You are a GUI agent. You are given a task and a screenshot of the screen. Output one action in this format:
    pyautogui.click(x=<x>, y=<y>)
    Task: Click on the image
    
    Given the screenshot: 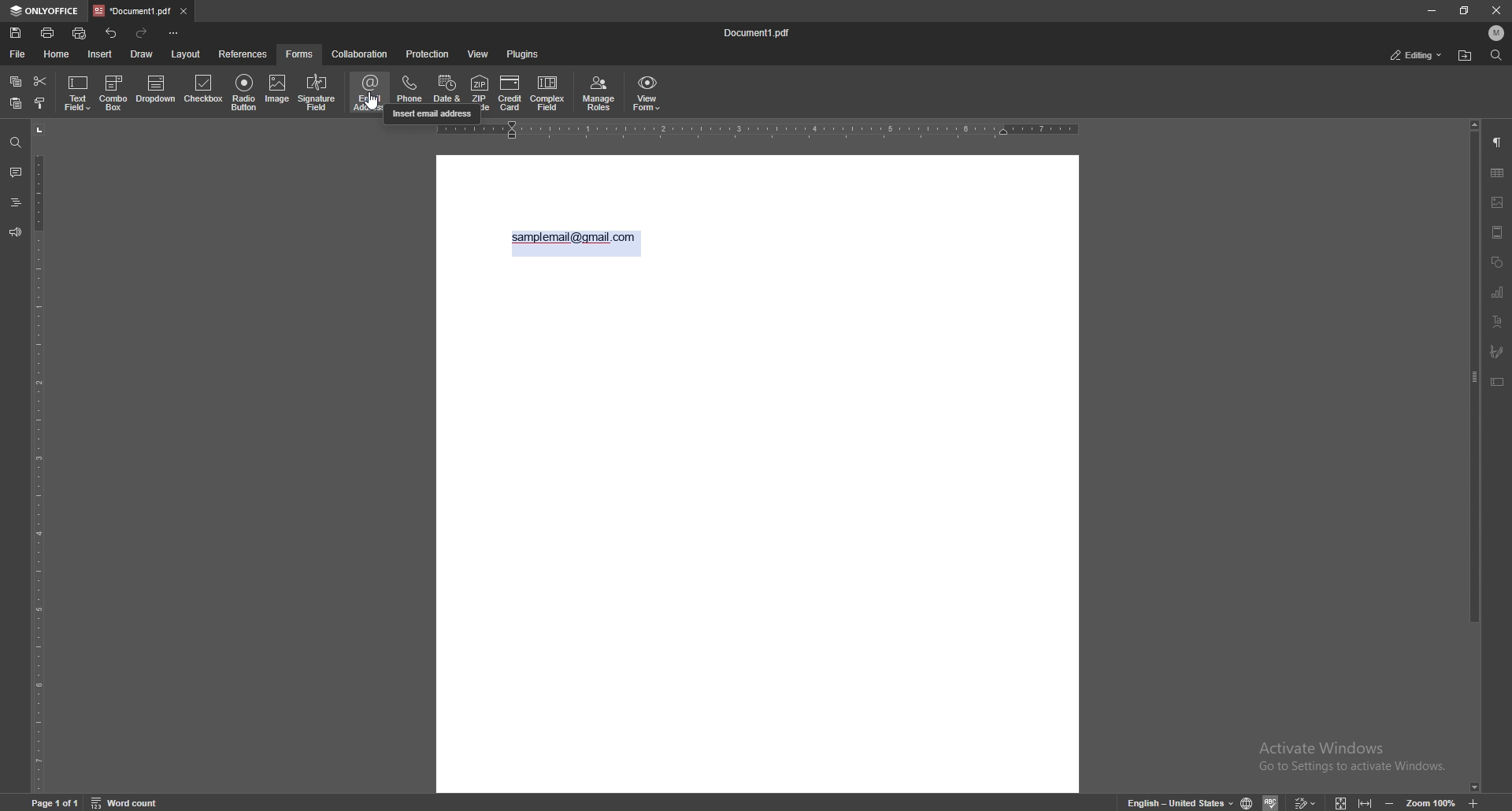 What is the action you would take?
    pyautogui.click(x=1498, y=202)
    